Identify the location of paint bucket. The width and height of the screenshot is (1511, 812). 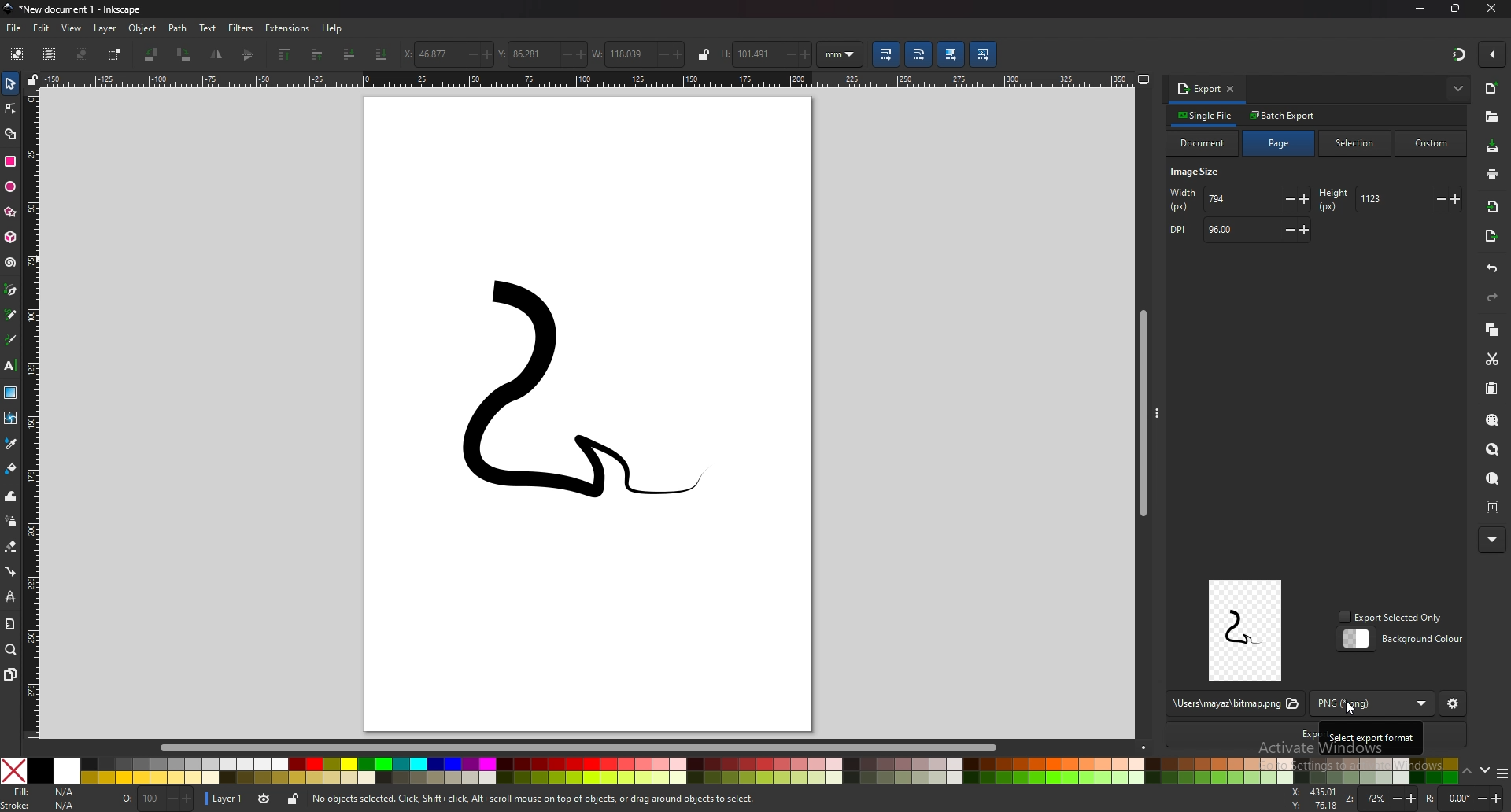
(10, 468).